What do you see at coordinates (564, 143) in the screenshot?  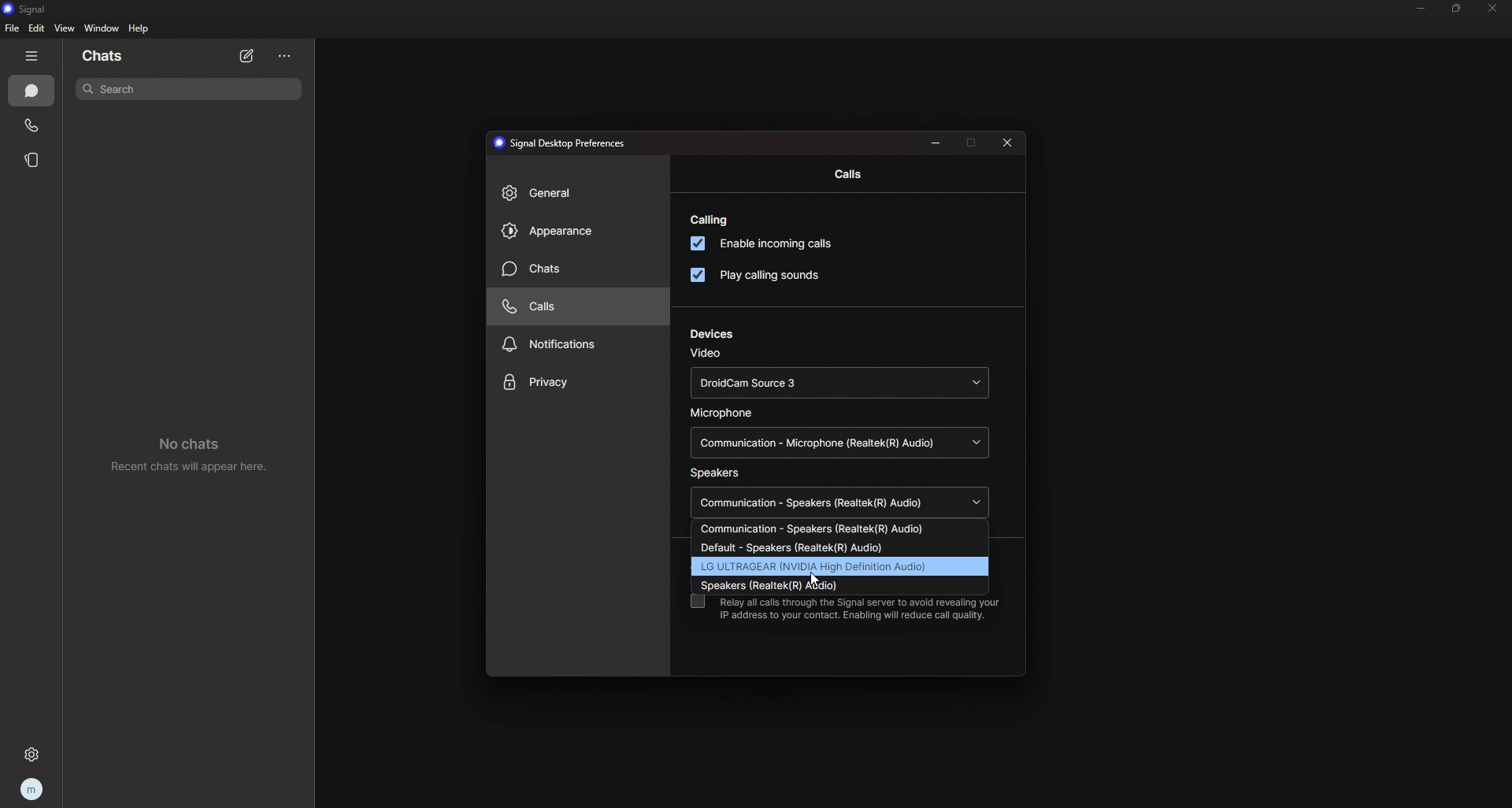 I see `signal desktop preferences` at bounding box center [564, 143].